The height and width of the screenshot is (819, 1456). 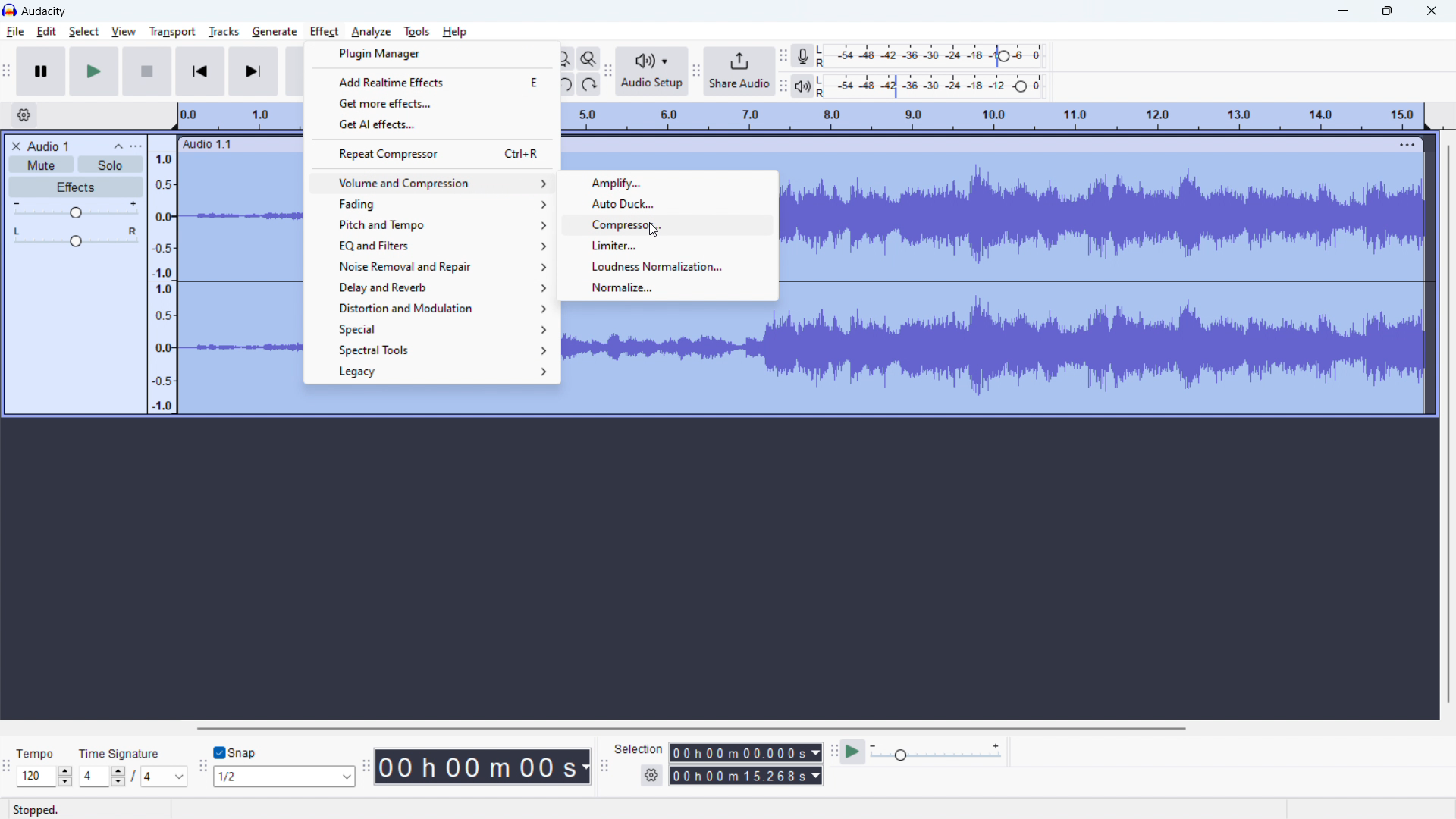 I want to click on loudness normalization, so click(x=668, y=266).